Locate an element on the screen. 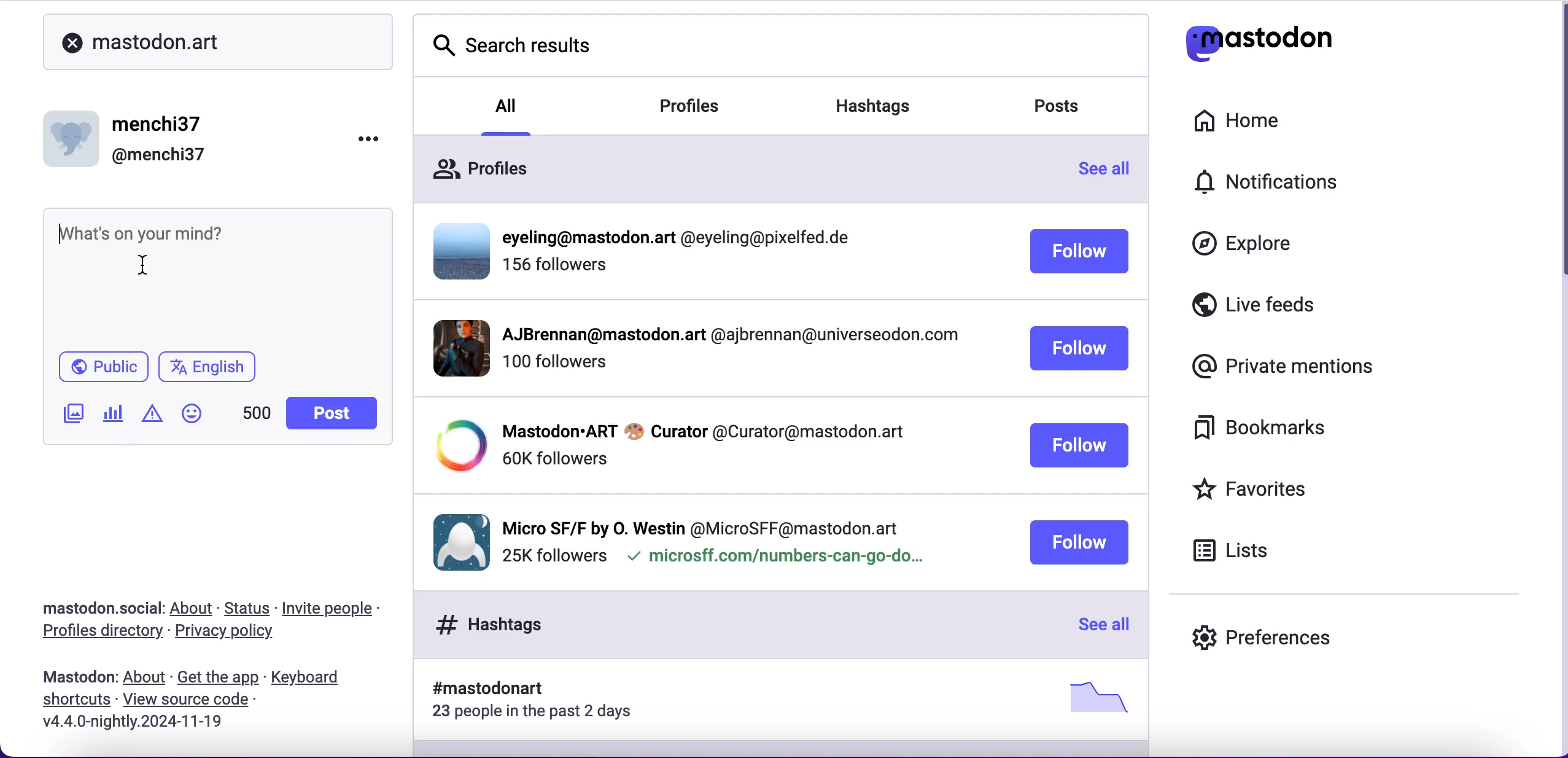  typing cursor is located at coordinates (65, 236).